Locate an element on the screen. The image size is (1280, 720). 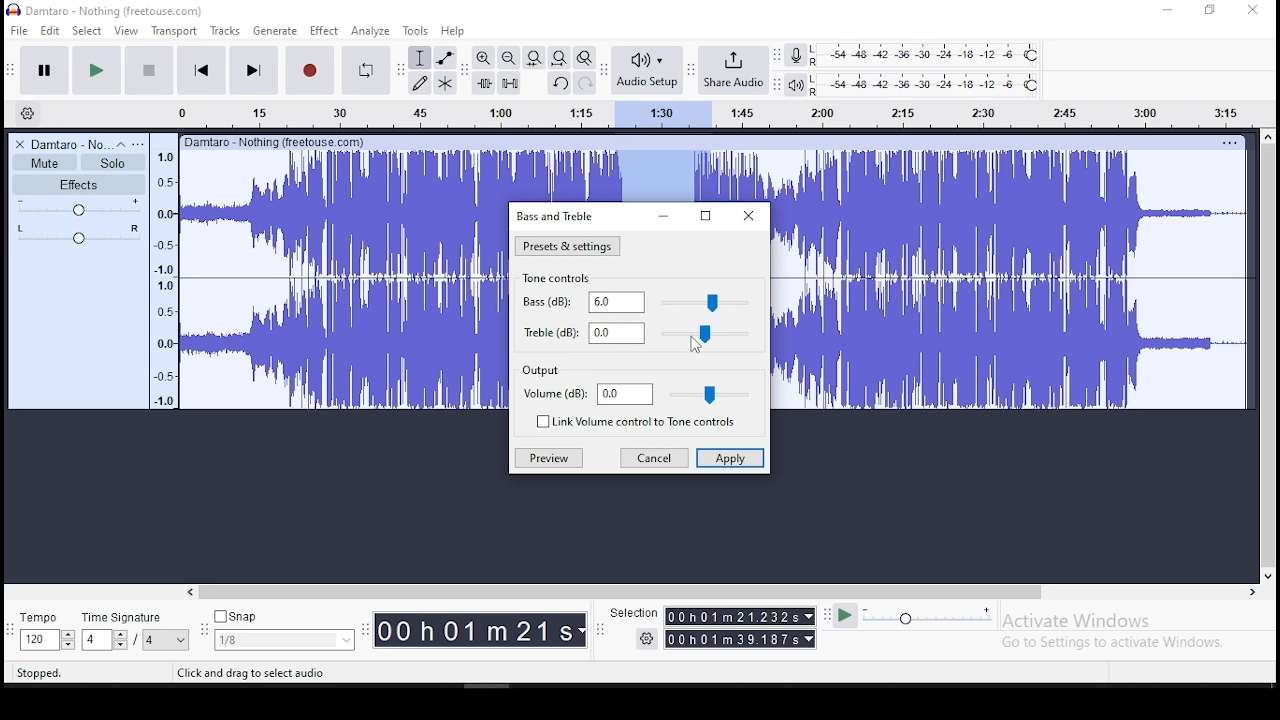
silence audio signal is located at coordinates (510, 83).